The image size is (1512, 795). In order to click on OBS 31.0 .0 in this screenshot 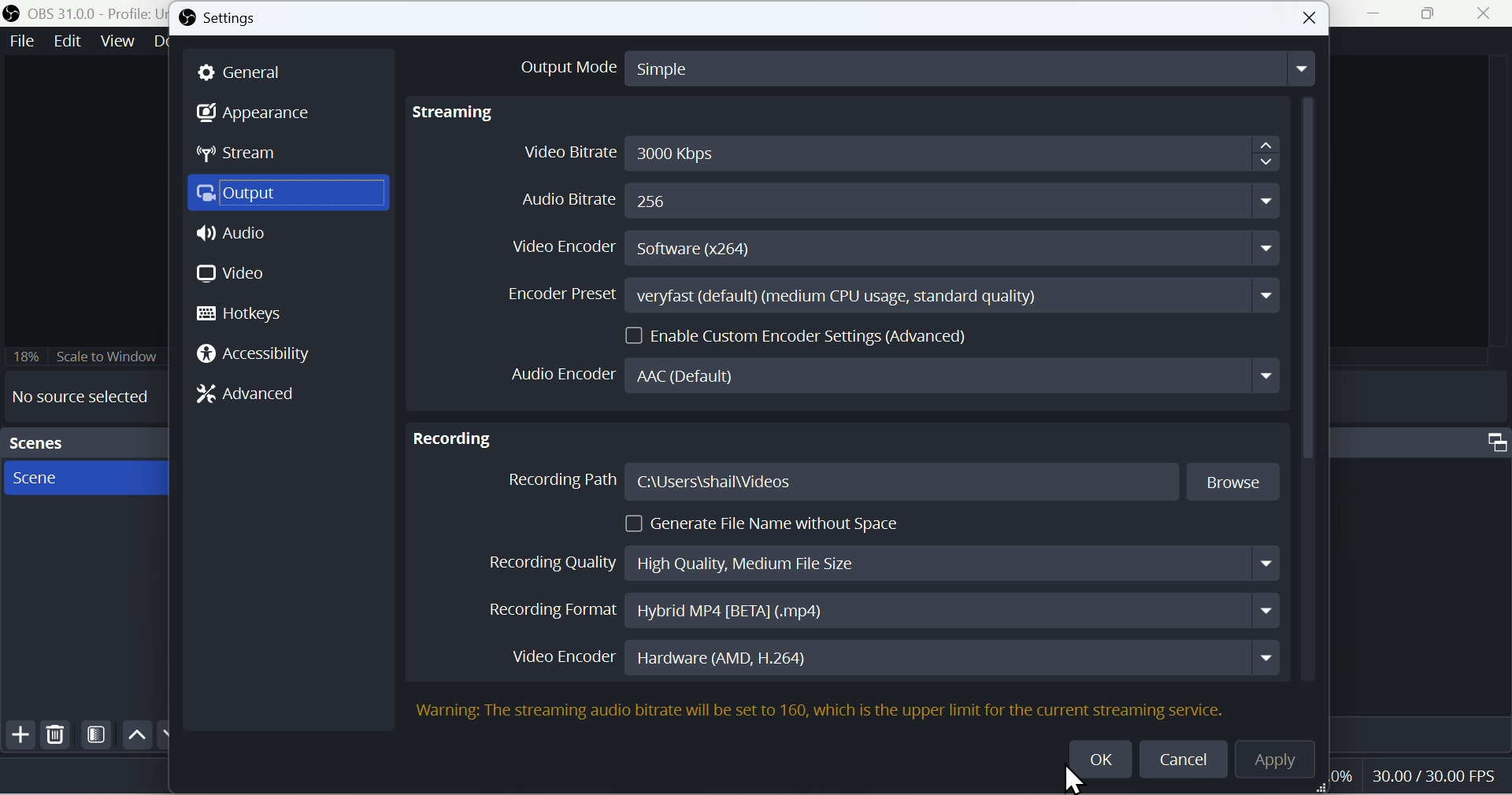, I will do `click(82, 13)`.